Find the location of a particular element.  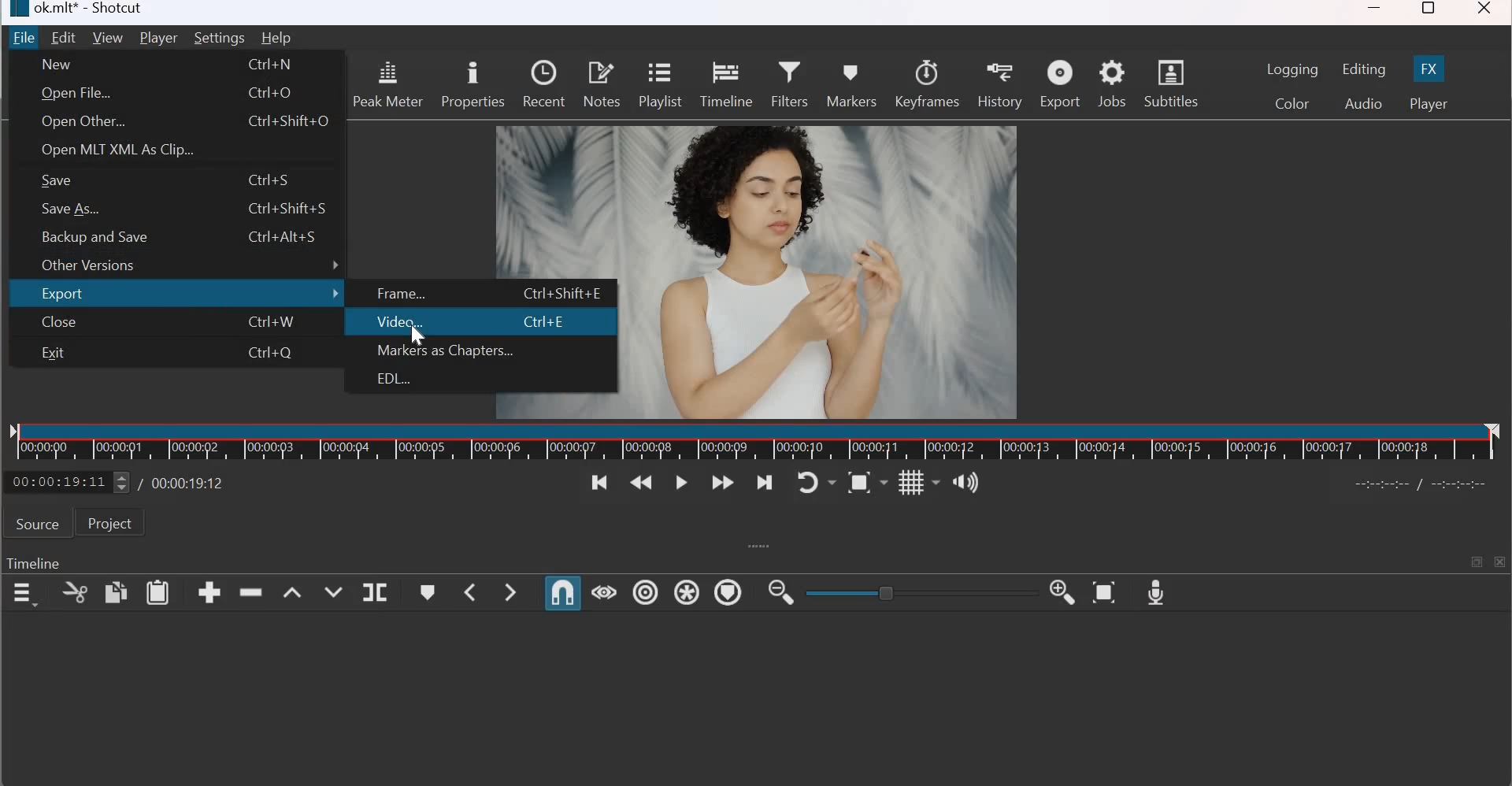

Toggle player looping is located at coordinates (816, 482).